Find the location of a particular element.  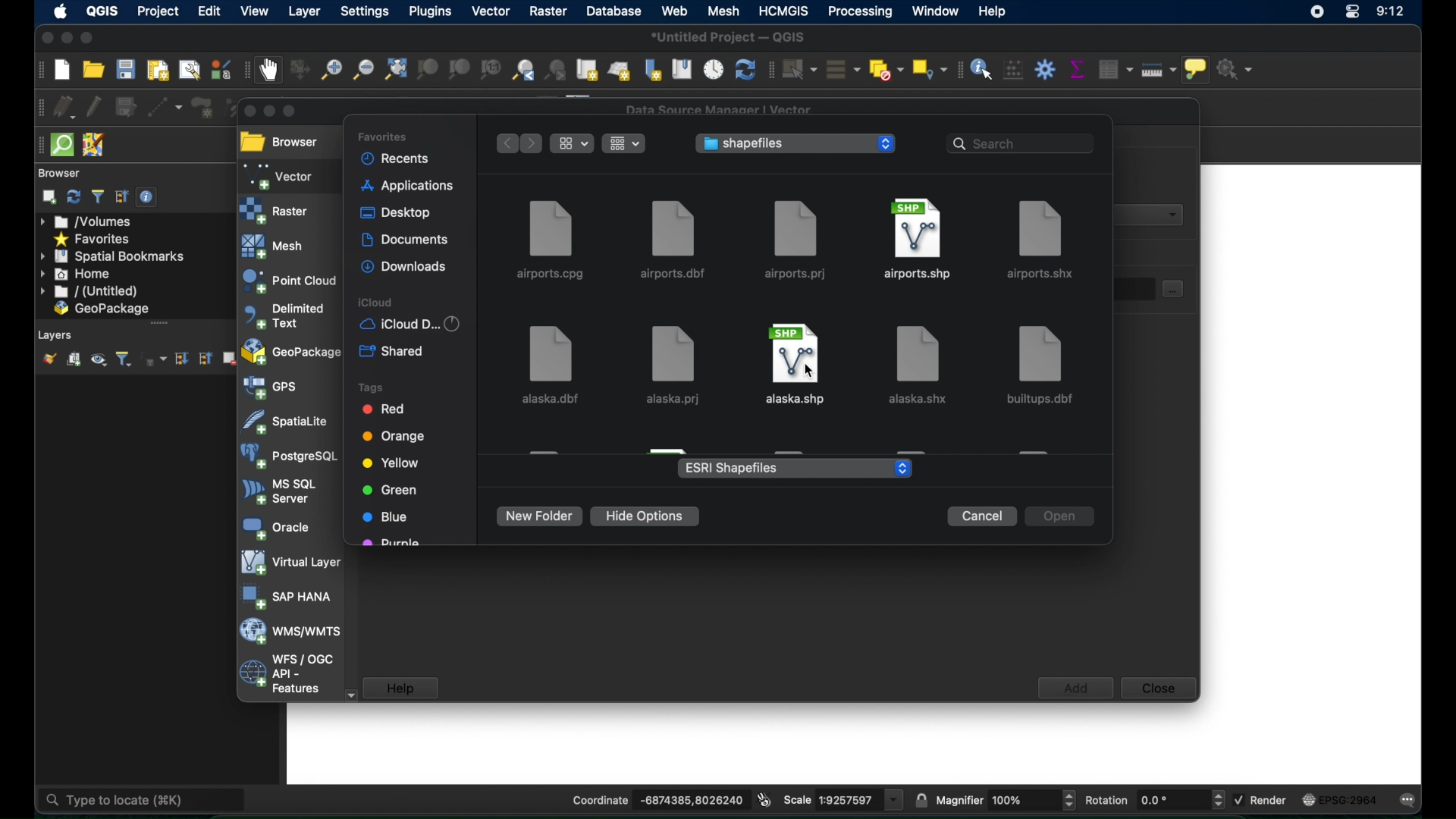

maximize is located at coordinates (89, 38).